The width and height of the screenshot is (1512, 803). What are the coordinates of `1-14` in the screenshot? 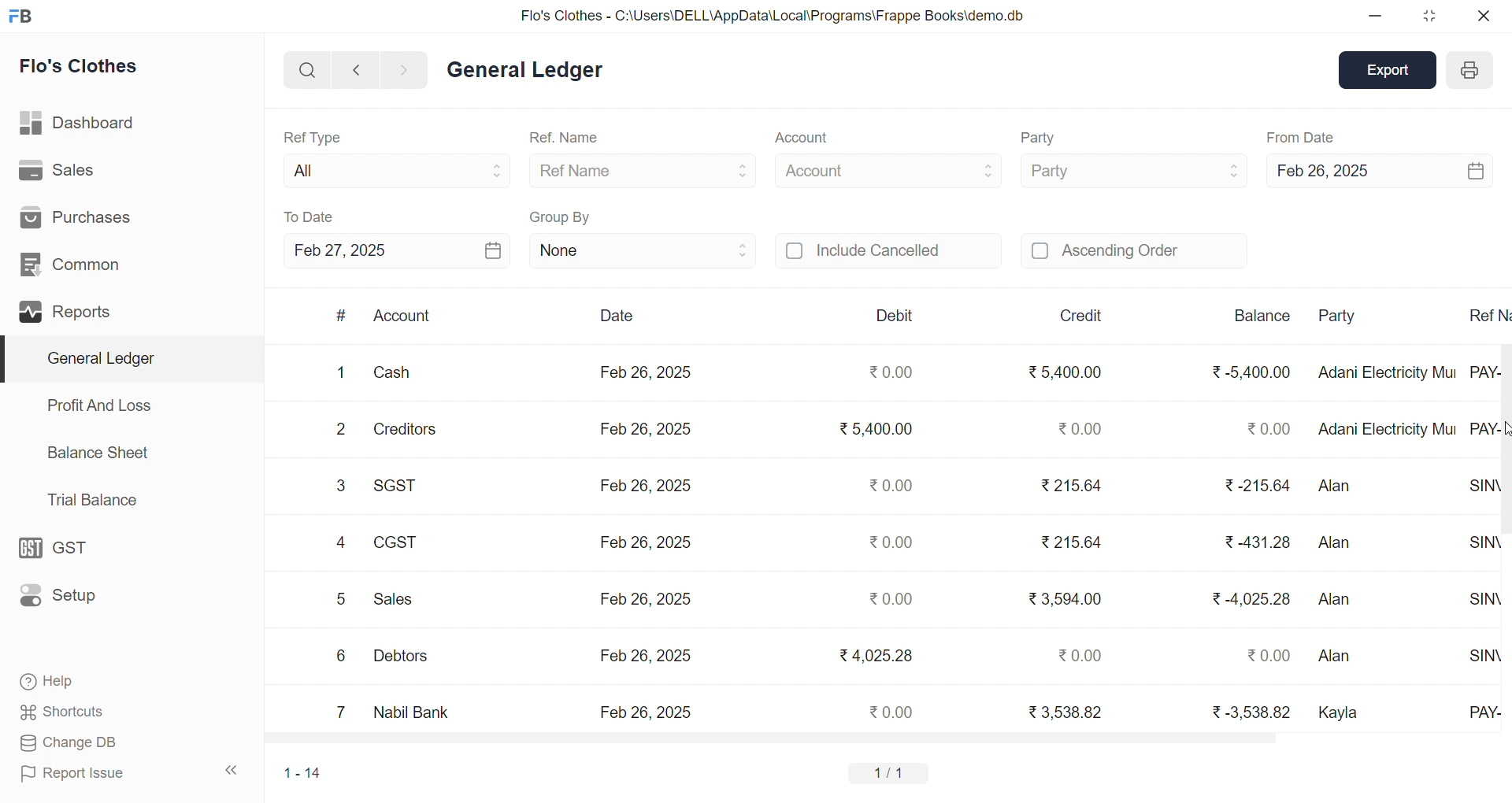 It's located at (307, 772).